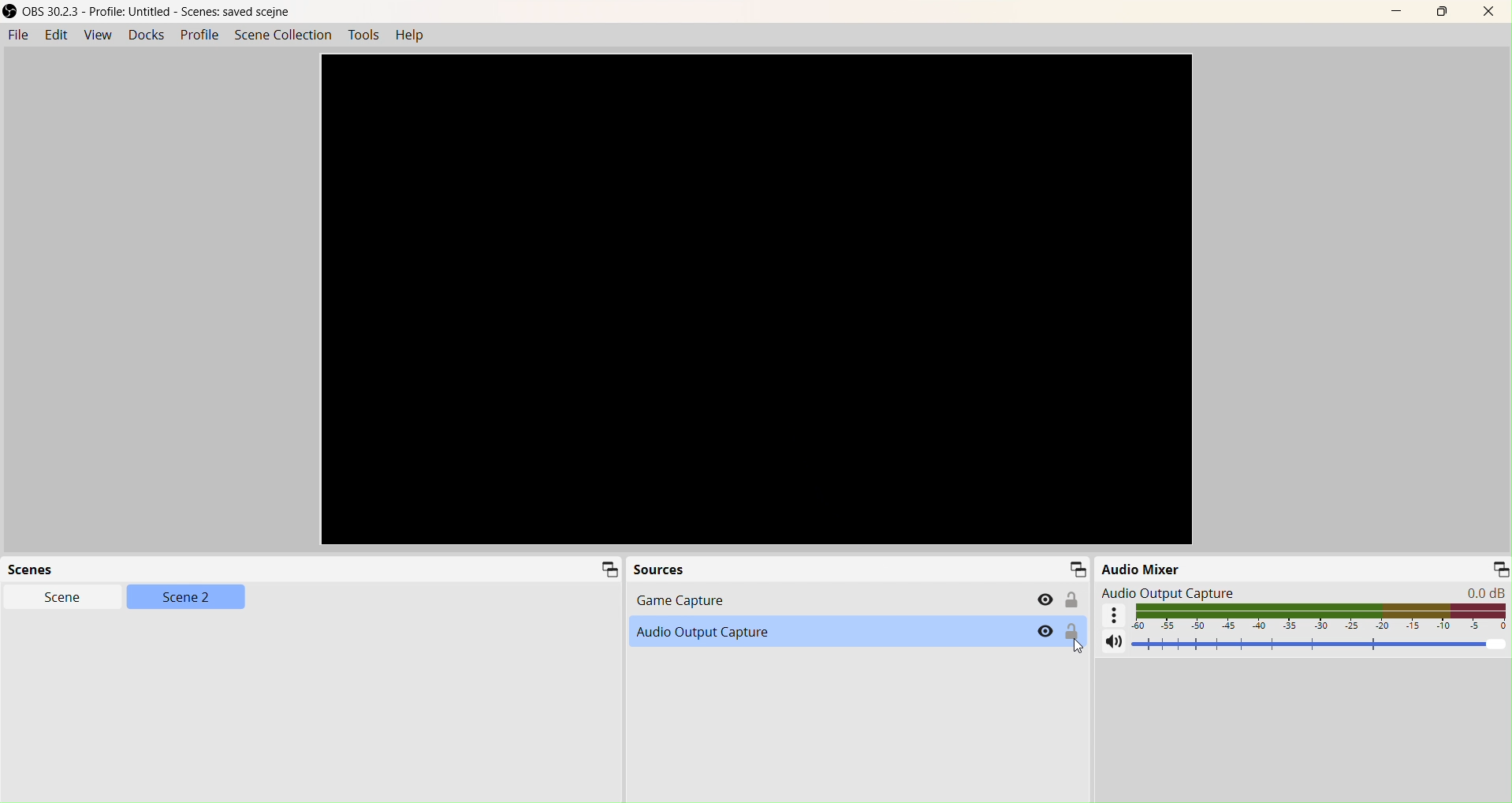  What do you see at coordinates (1297, 646) in the screenshot?
I see `Volume ` at bounding box center [1297, 646].